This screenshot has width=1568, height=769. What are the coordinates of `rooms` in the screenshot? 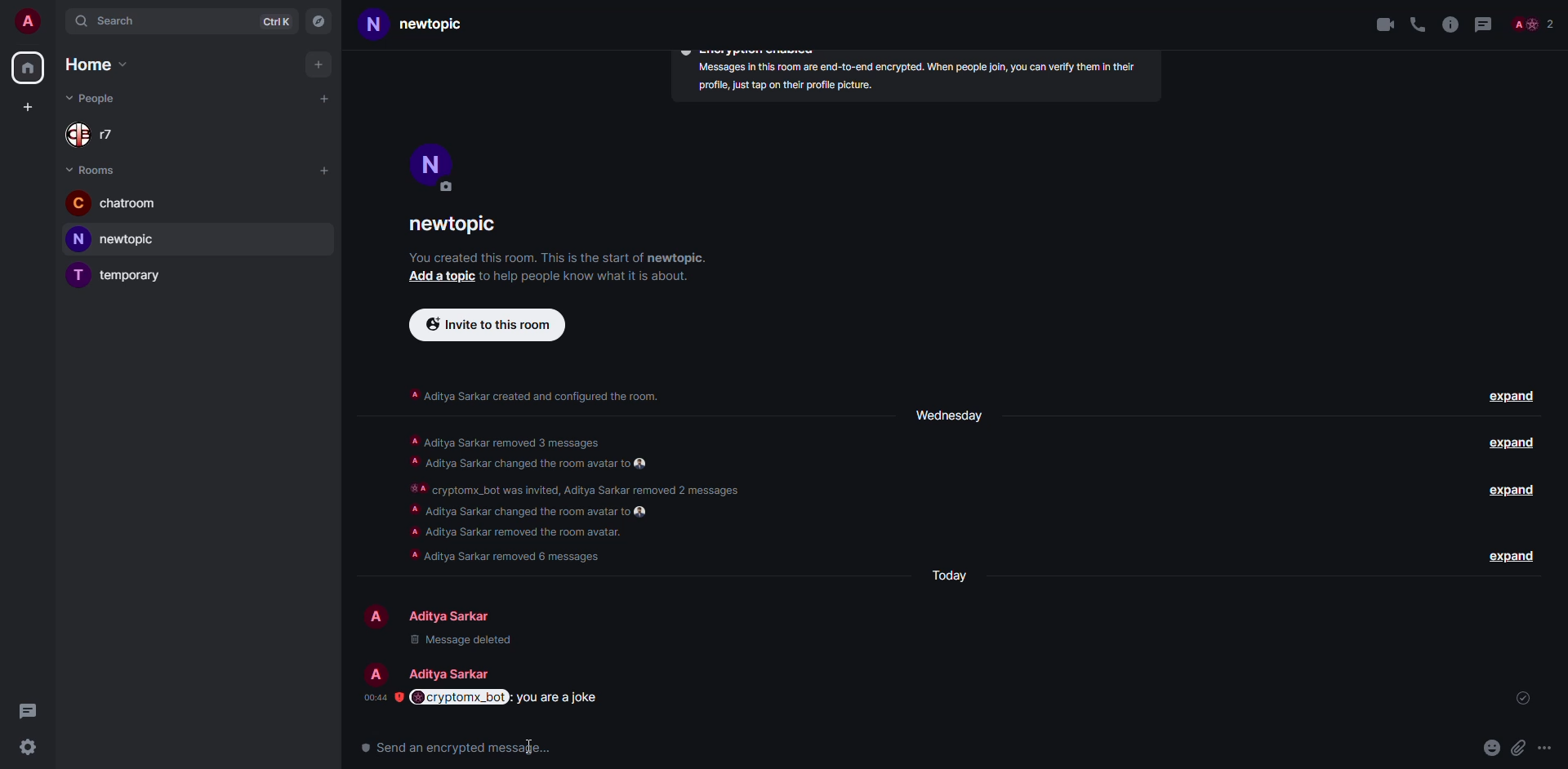 It's located at (96, 169).